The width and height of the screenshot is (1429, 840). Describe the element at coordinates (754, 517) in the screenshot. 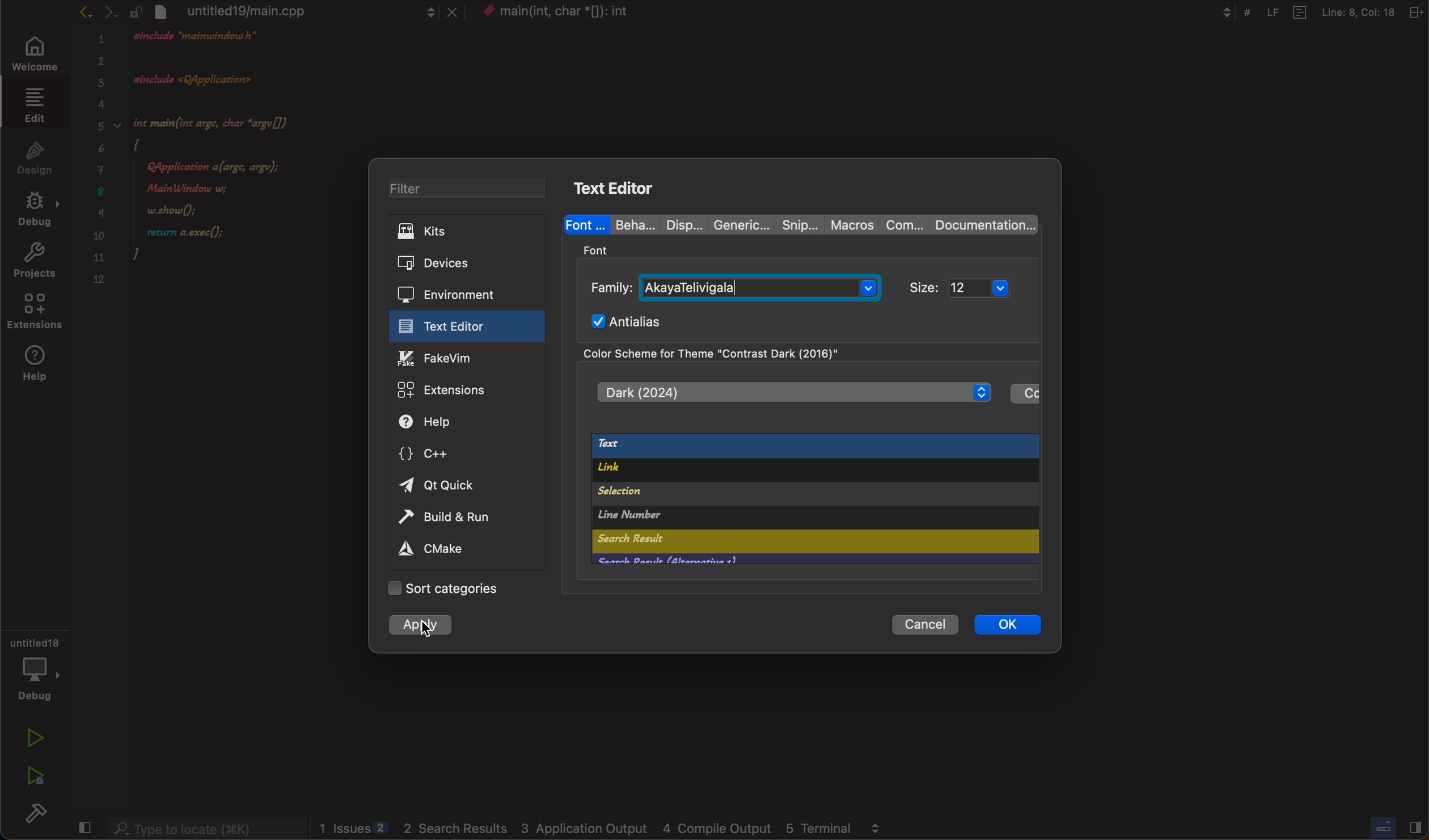

I see `line number` at that location.